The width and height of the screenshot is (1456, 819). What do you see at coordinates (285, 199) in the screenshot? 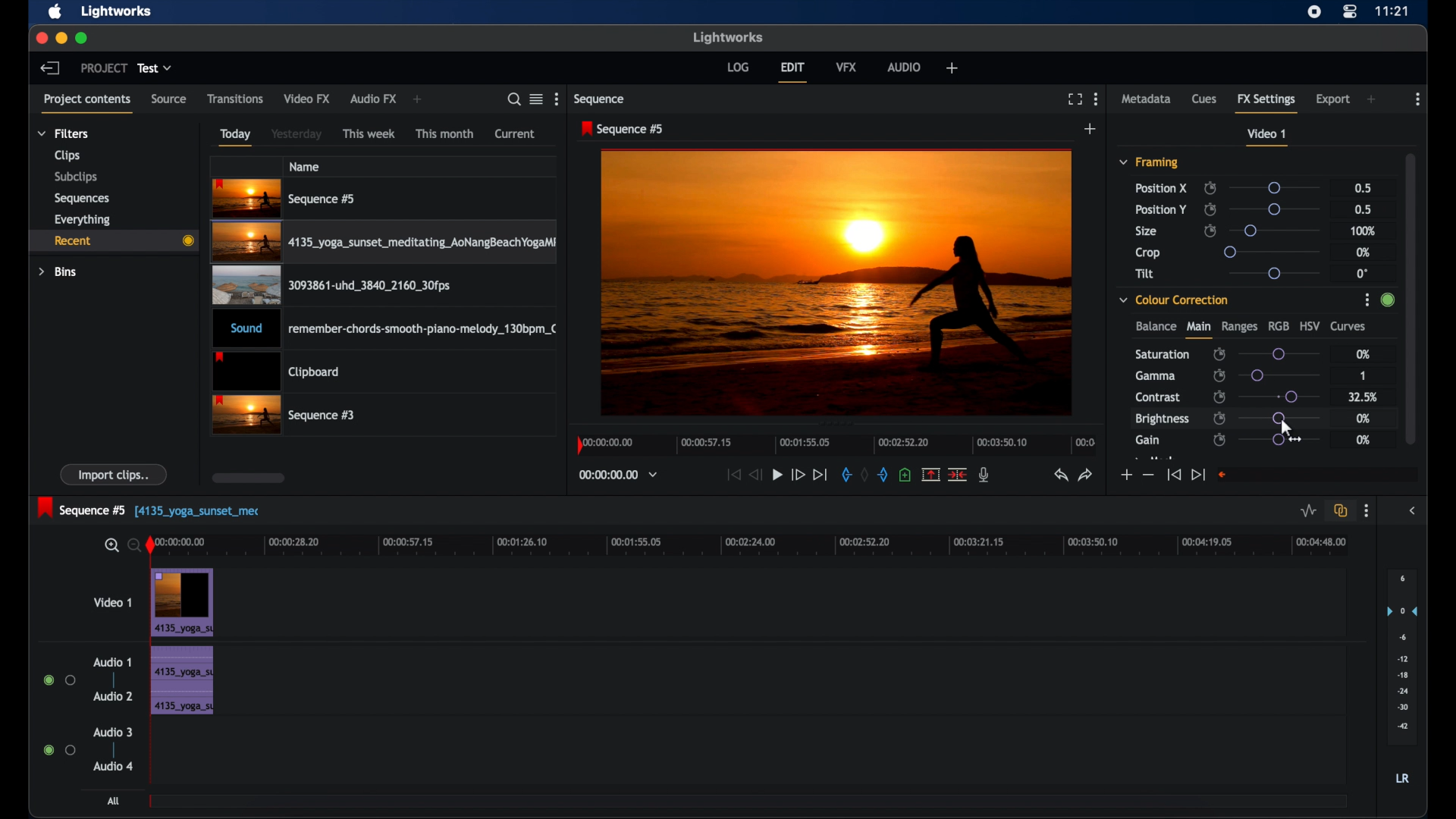
I see `videoclip` at bounding box center [285, 199].